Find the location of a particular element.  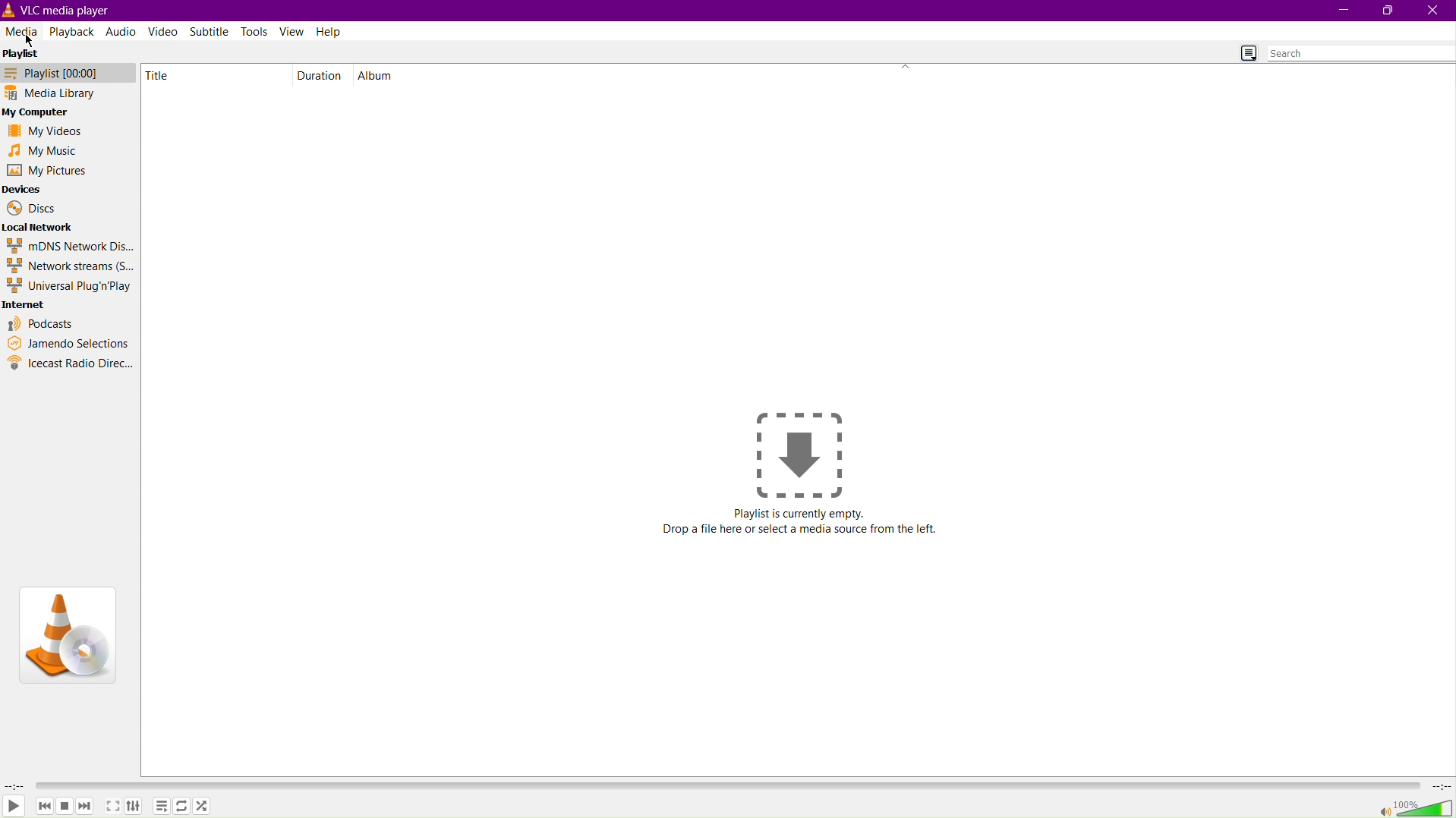

My Pictures is located at coordinates (46, 171).